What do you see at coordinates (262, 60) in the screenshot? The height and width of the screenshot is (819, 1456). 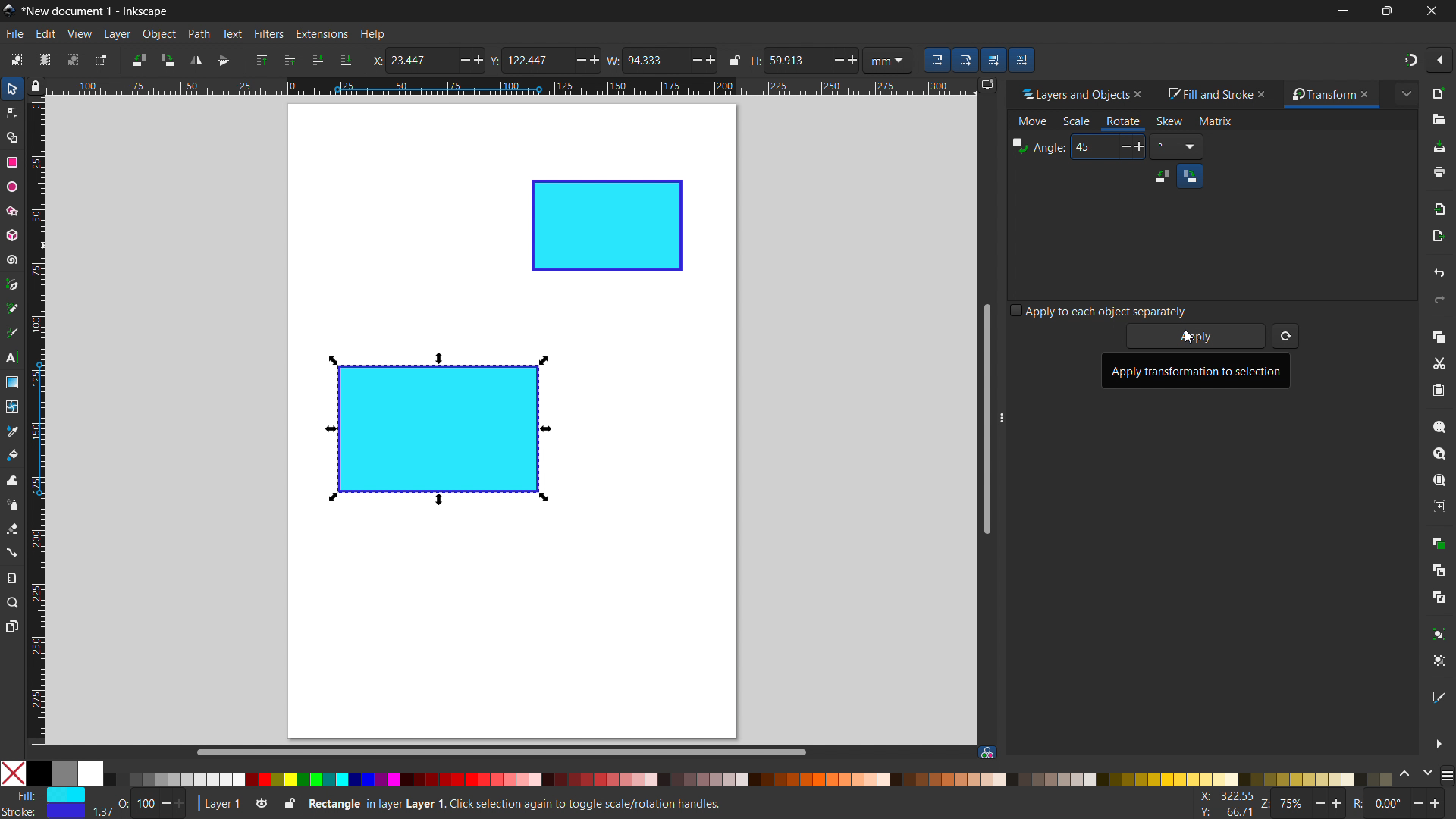 I see `raise to top` at bounding box center [262, 60].